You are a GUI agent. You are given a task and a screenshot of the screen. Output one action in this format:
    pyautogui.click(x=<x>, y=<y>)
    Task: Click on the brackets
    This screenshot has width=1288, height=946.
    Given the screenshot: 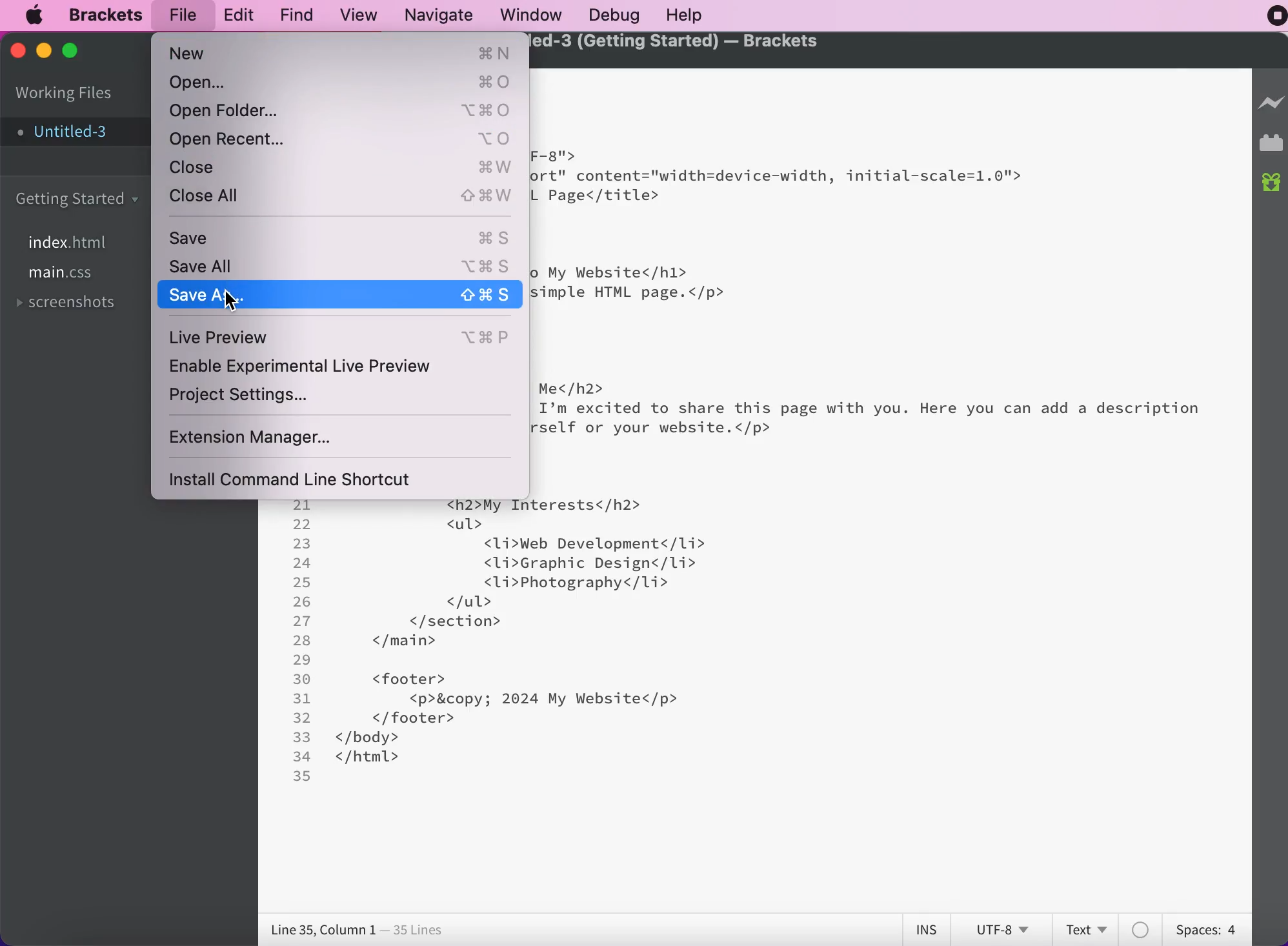 What is the action you would take?
    pyautogui.click(x=108, y=14)
    